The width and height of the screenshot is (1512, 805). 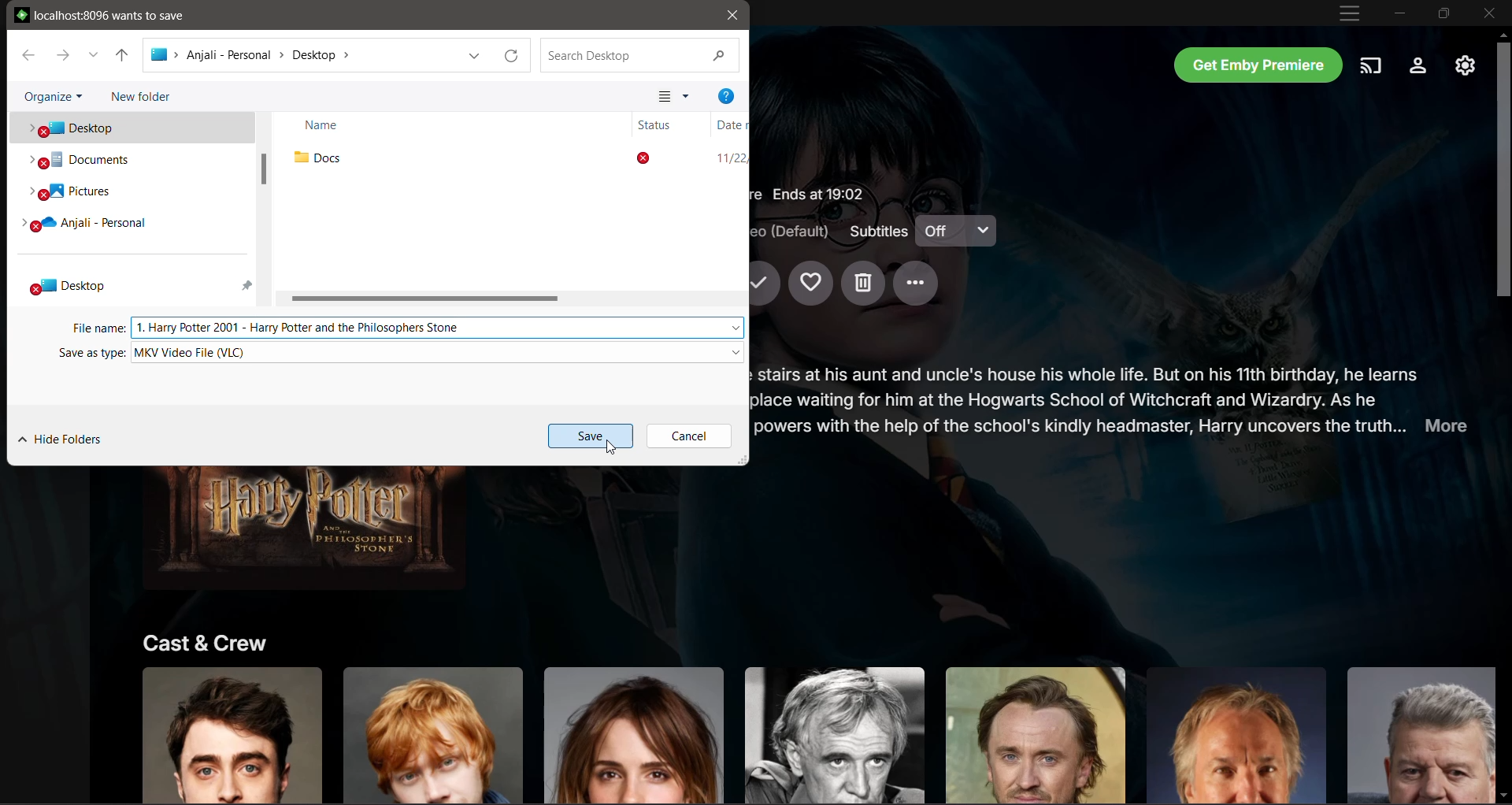 I want to click on Status of folder, so click(x=644, y=158).